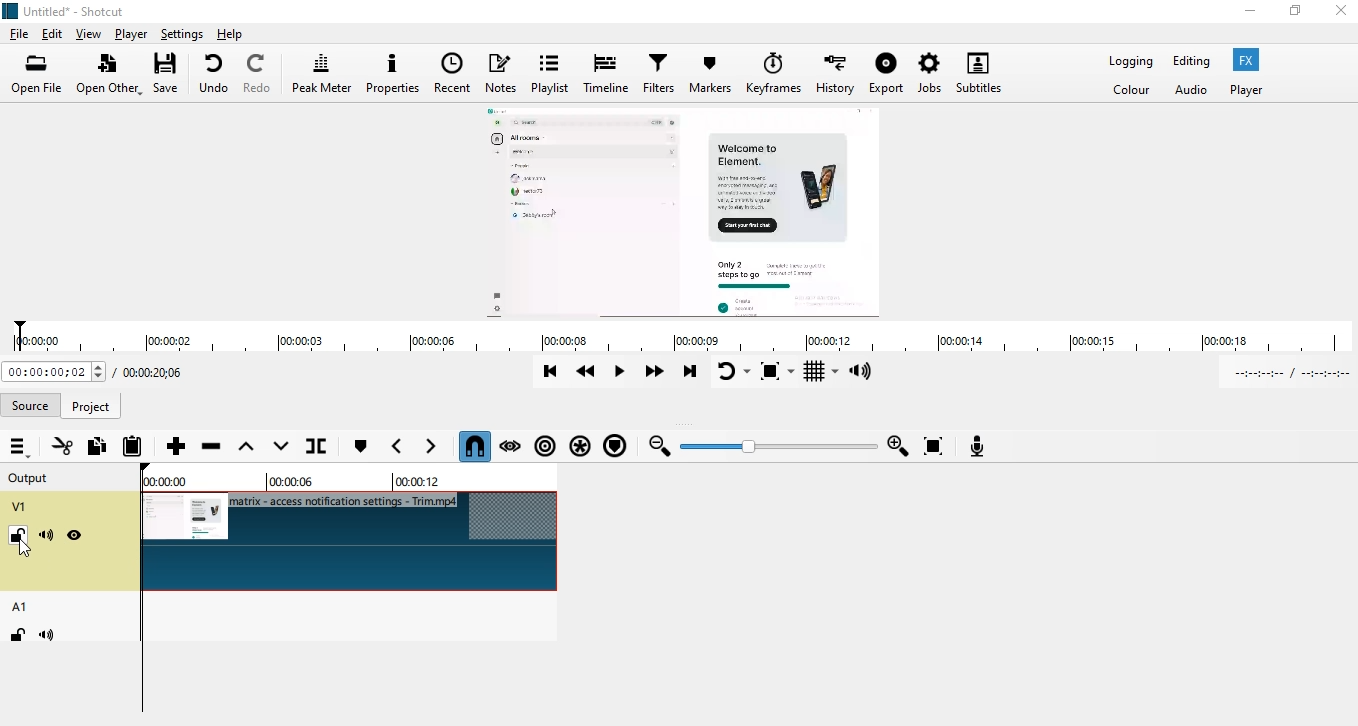  I want to click on zoom timeline to fit, so click(932, 445).